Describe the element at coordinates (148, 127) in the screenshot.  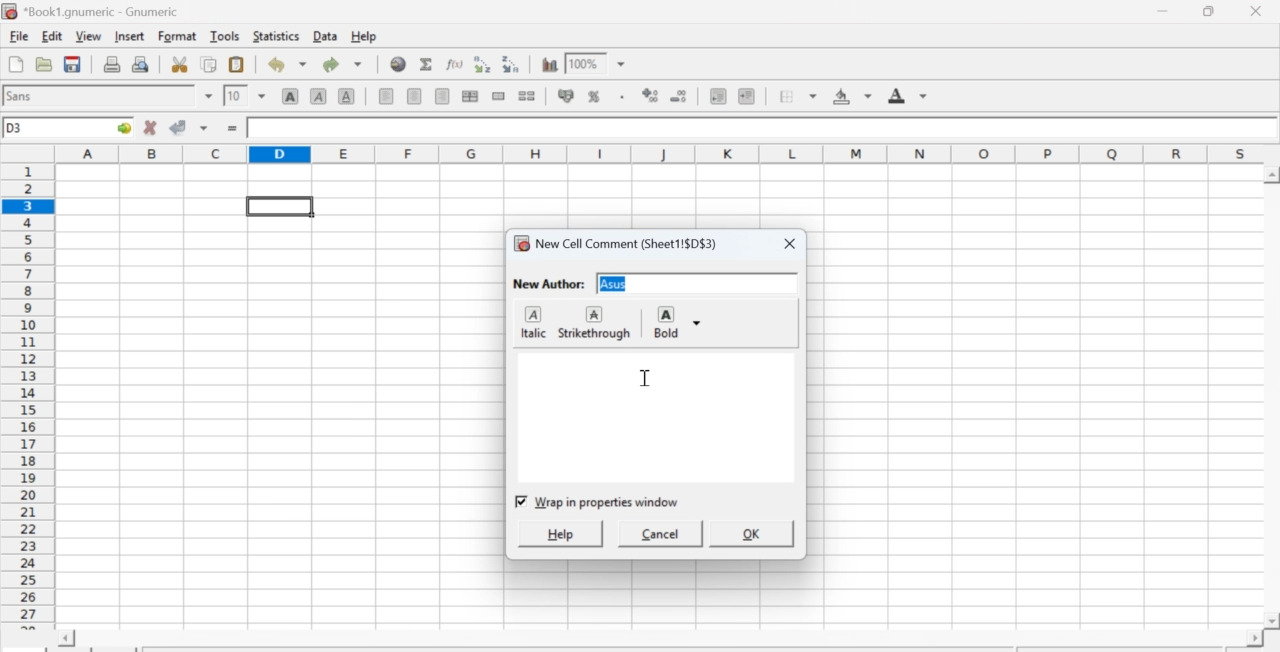
I see `Cancel change` at that location.